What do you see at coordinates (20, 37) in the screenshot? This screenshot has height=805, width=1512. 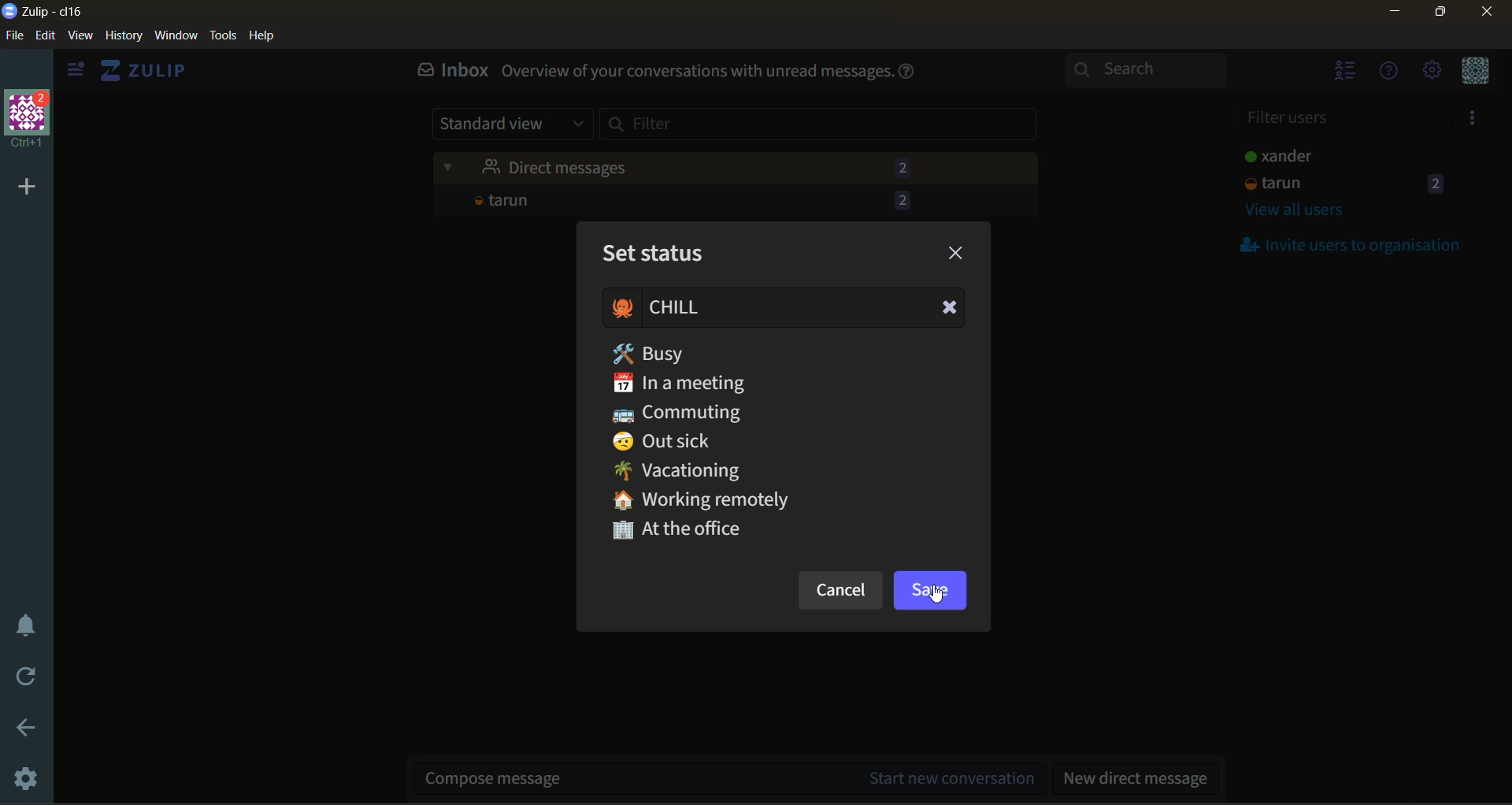 I see `file` at bounding box center [20, 37].